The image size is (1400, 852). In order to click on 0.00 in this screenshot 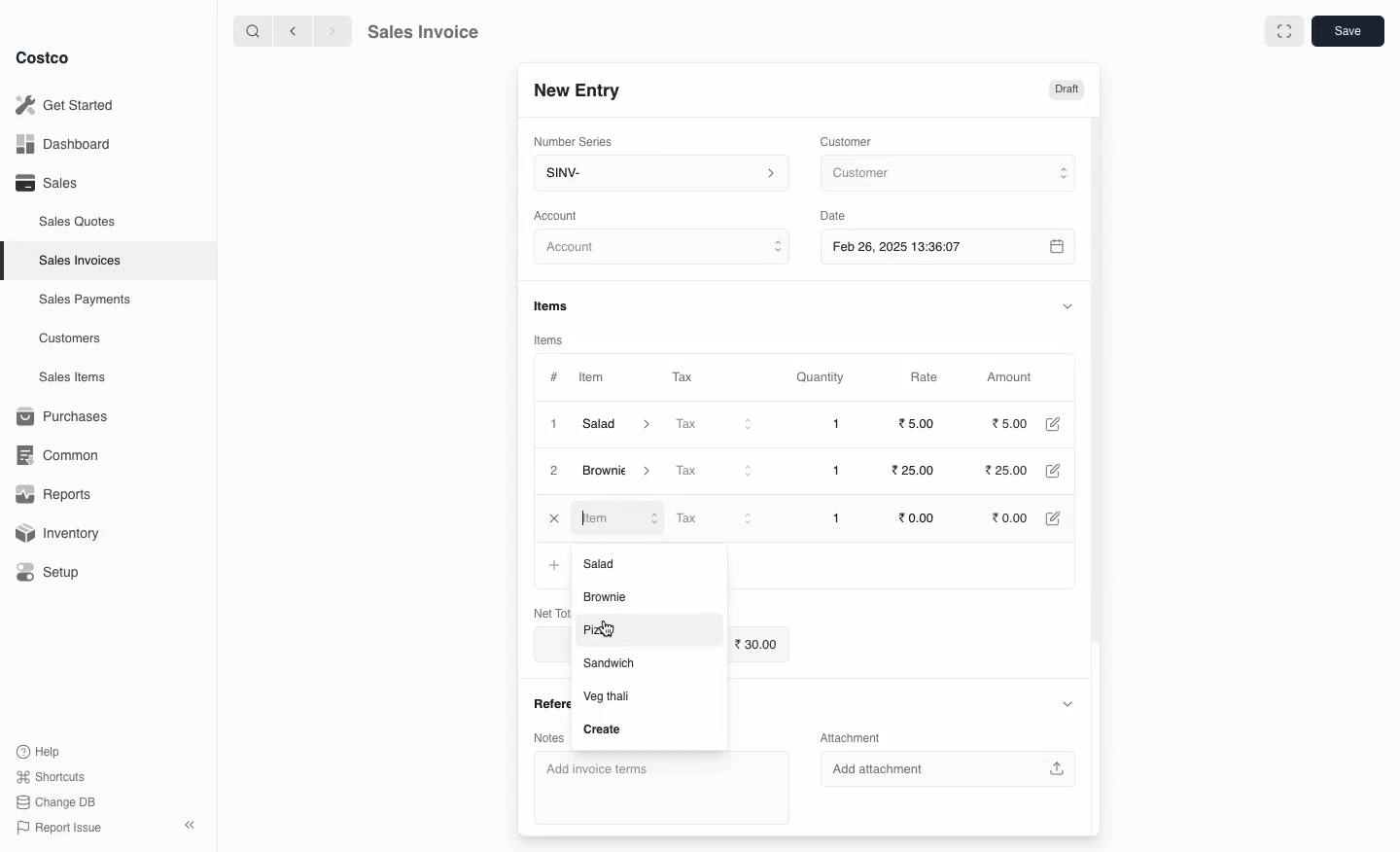, I will do `click(1008, 515)`.